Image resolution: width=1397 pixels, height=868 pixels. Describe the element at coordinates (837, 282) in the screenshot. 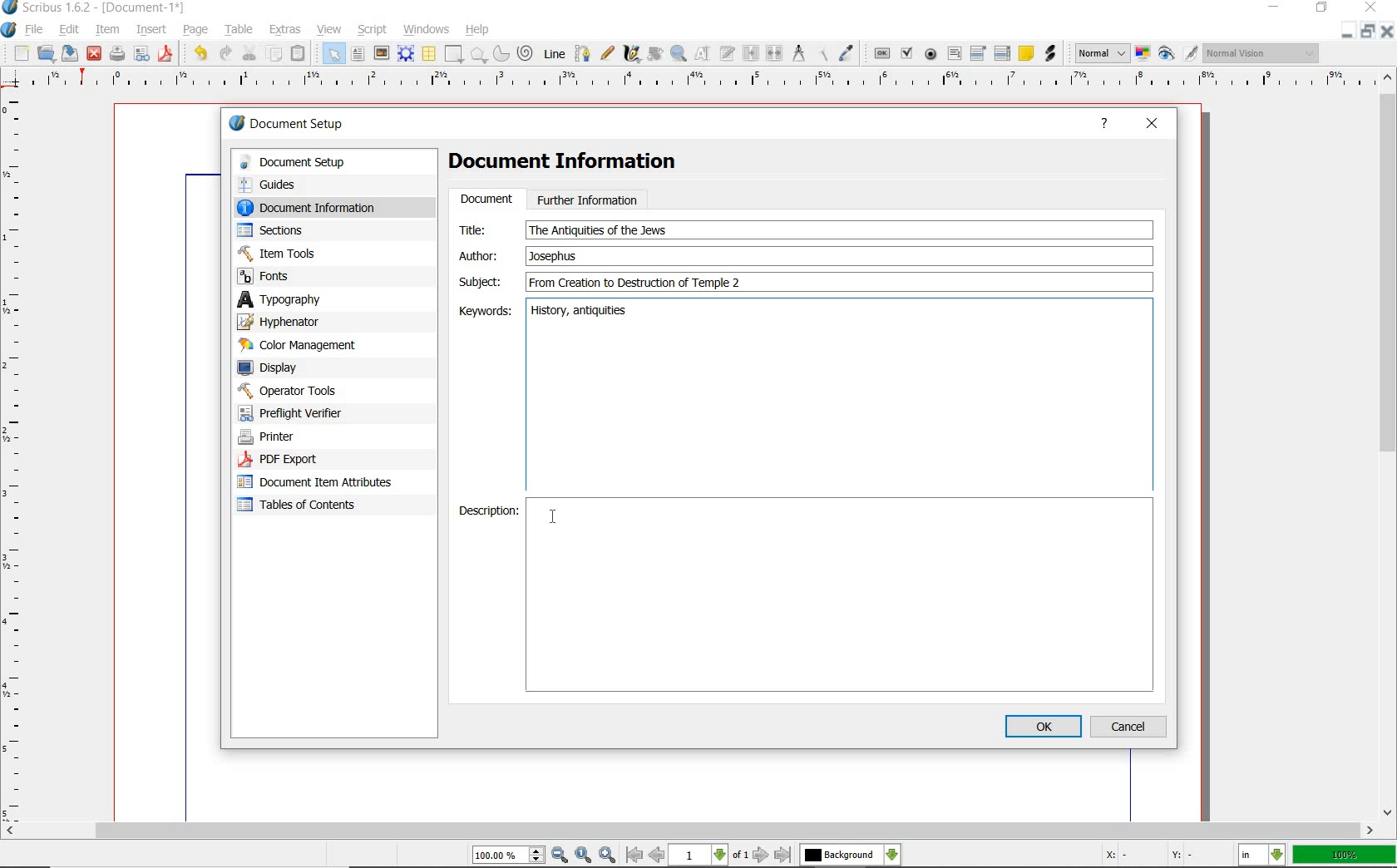

I see `subject` at that location.